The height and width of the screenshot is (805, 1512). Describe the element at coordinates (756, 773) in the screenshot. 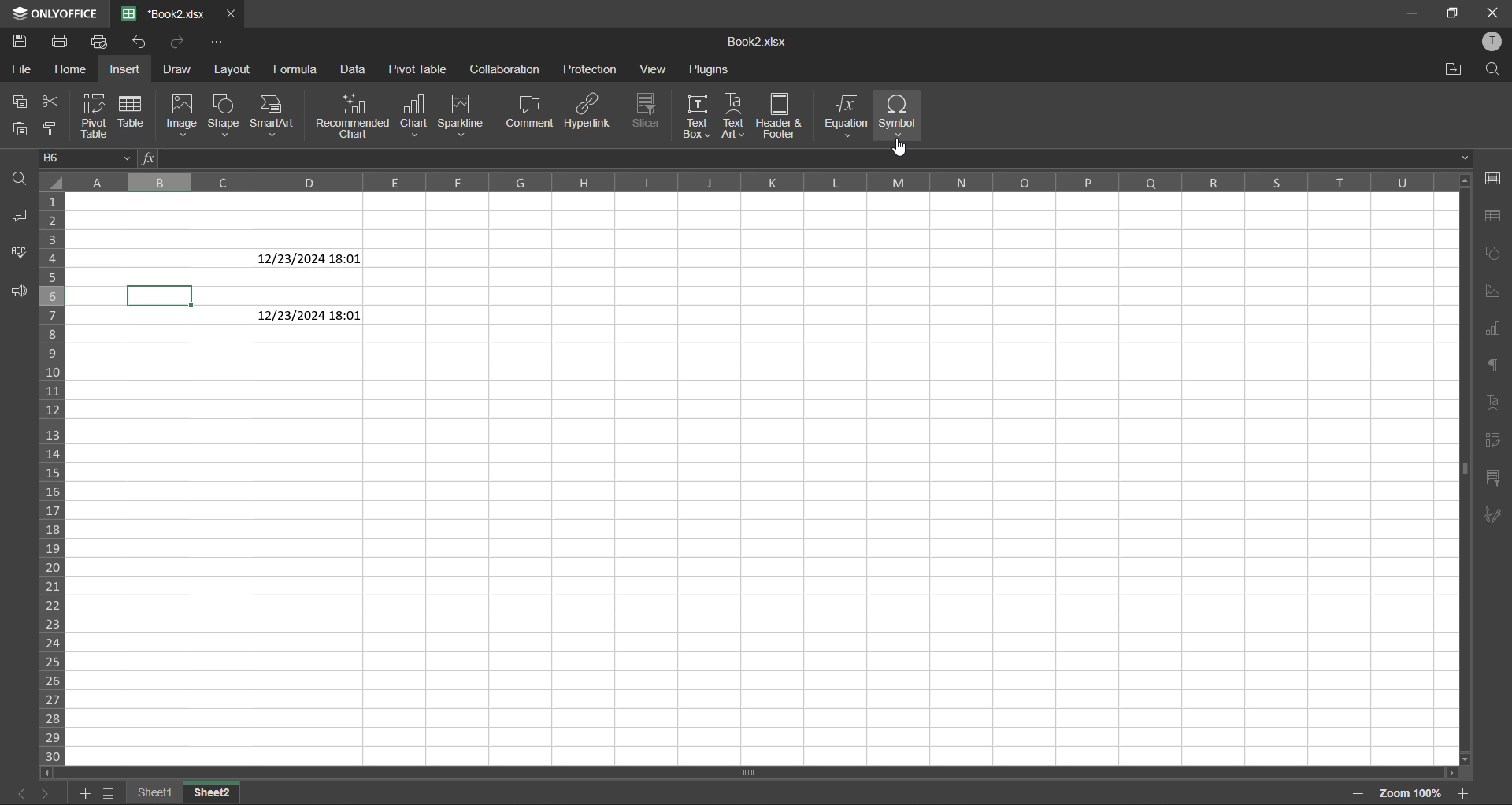

I see `scrollbar` at that location.